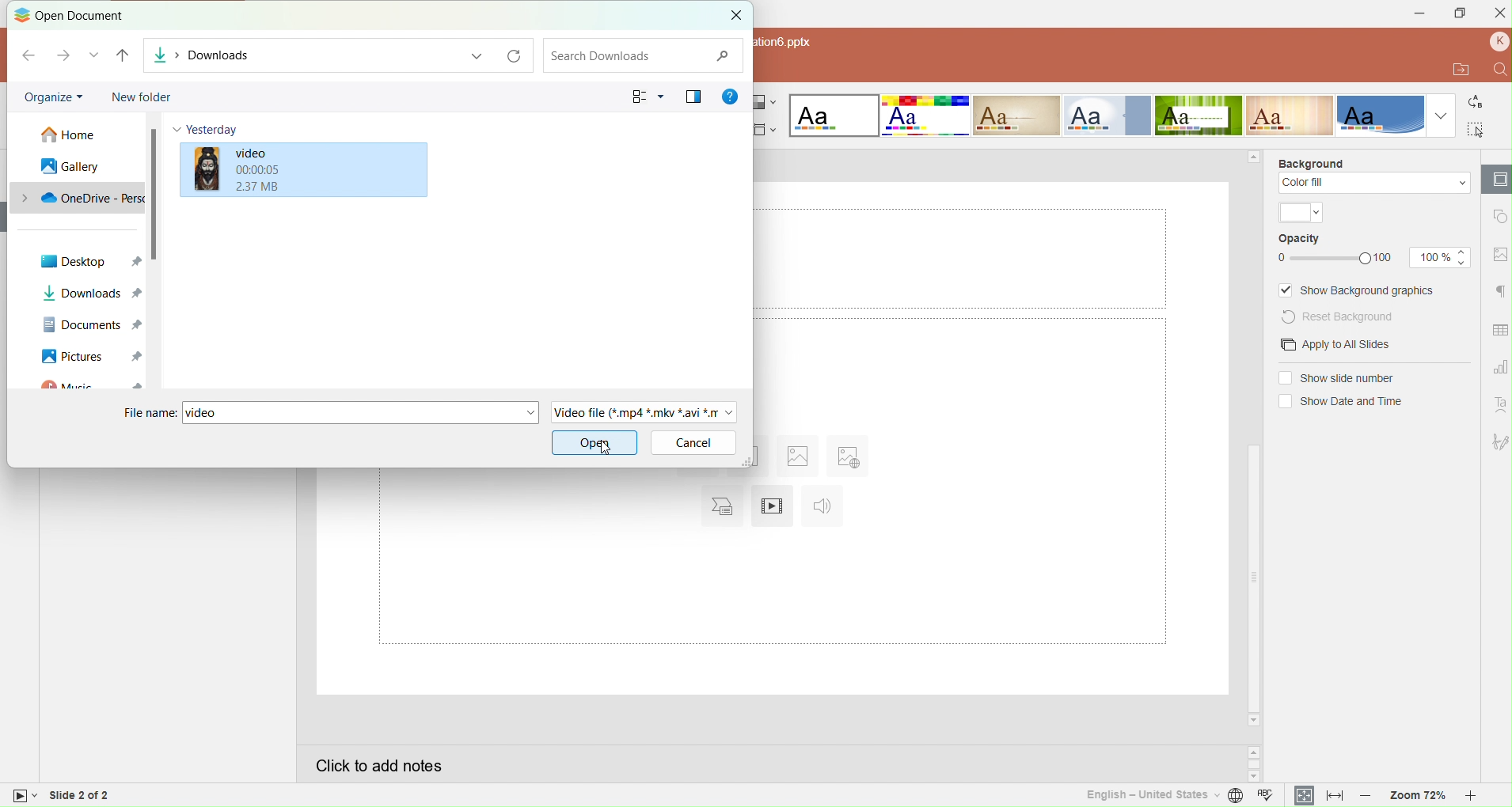 This screenshot has width=1512, height=807. What do you see at coordinates (695, 96) in the screenshot?
I see `Show the previous pane` at bounding box center [695, 96].